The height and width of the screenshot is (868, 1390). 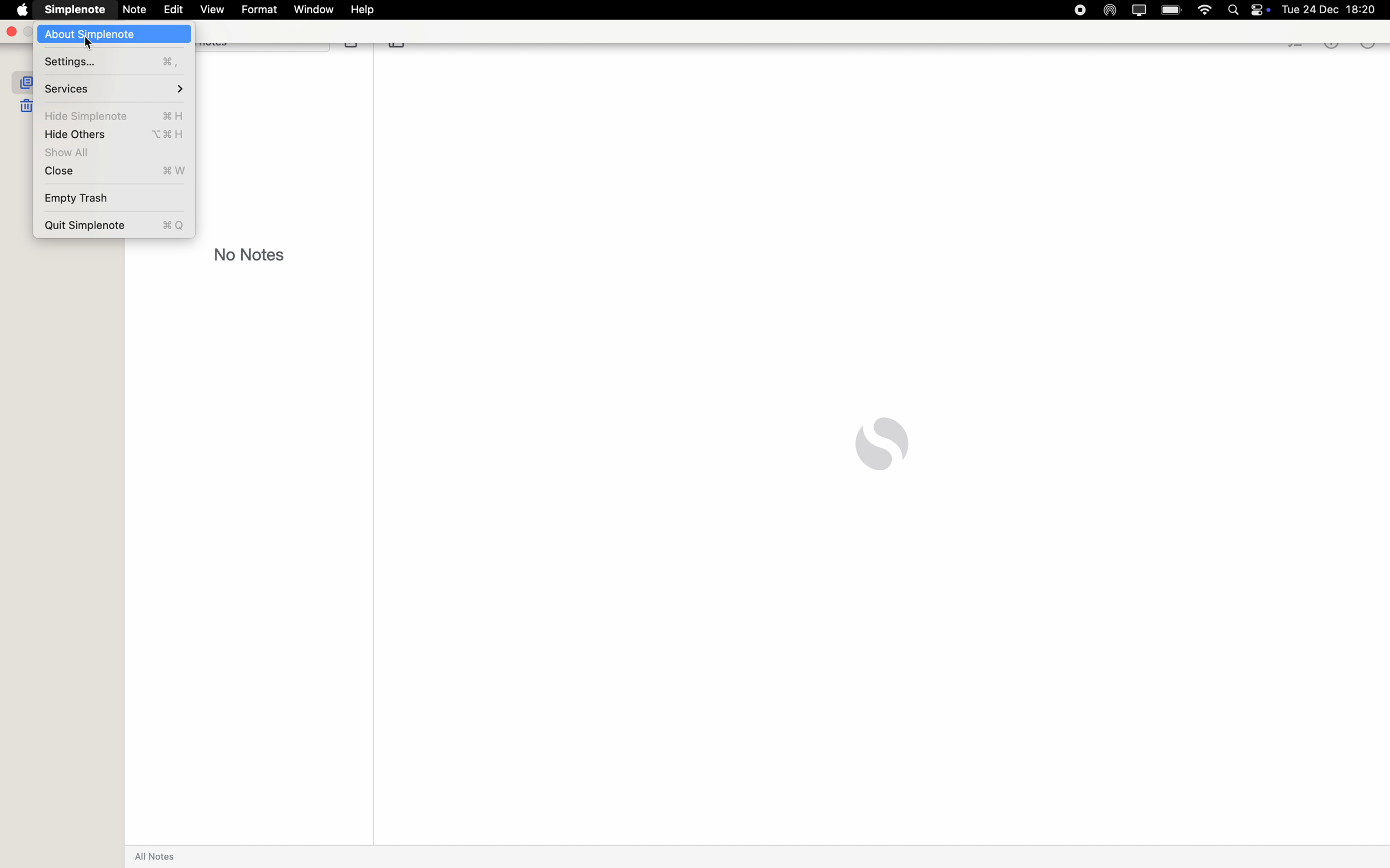 I want to click on Spotlight search, so click(x=1237, y=9).